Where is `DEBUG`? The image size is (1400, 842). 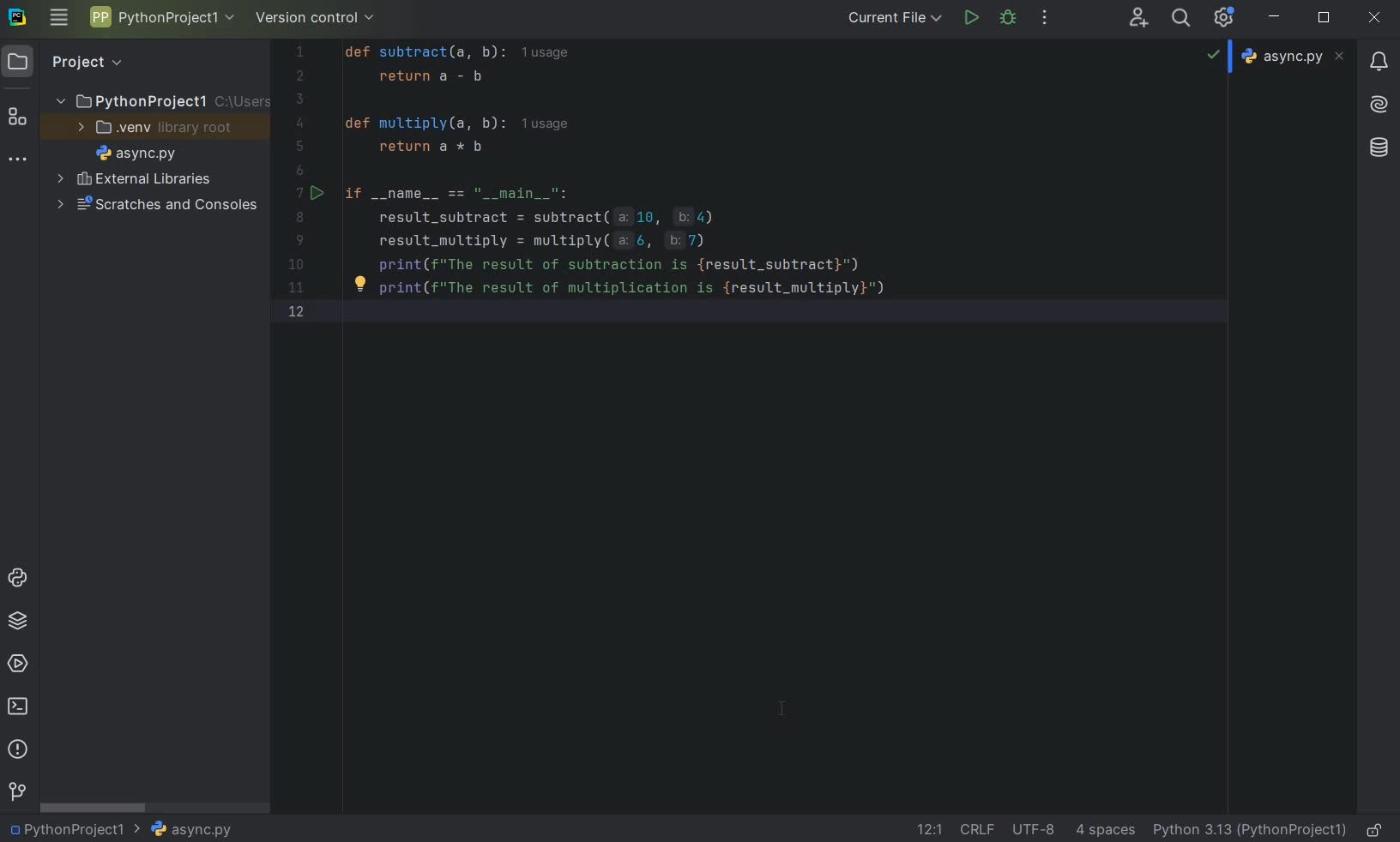
DEBUG is located at coordinates (1011, 21).